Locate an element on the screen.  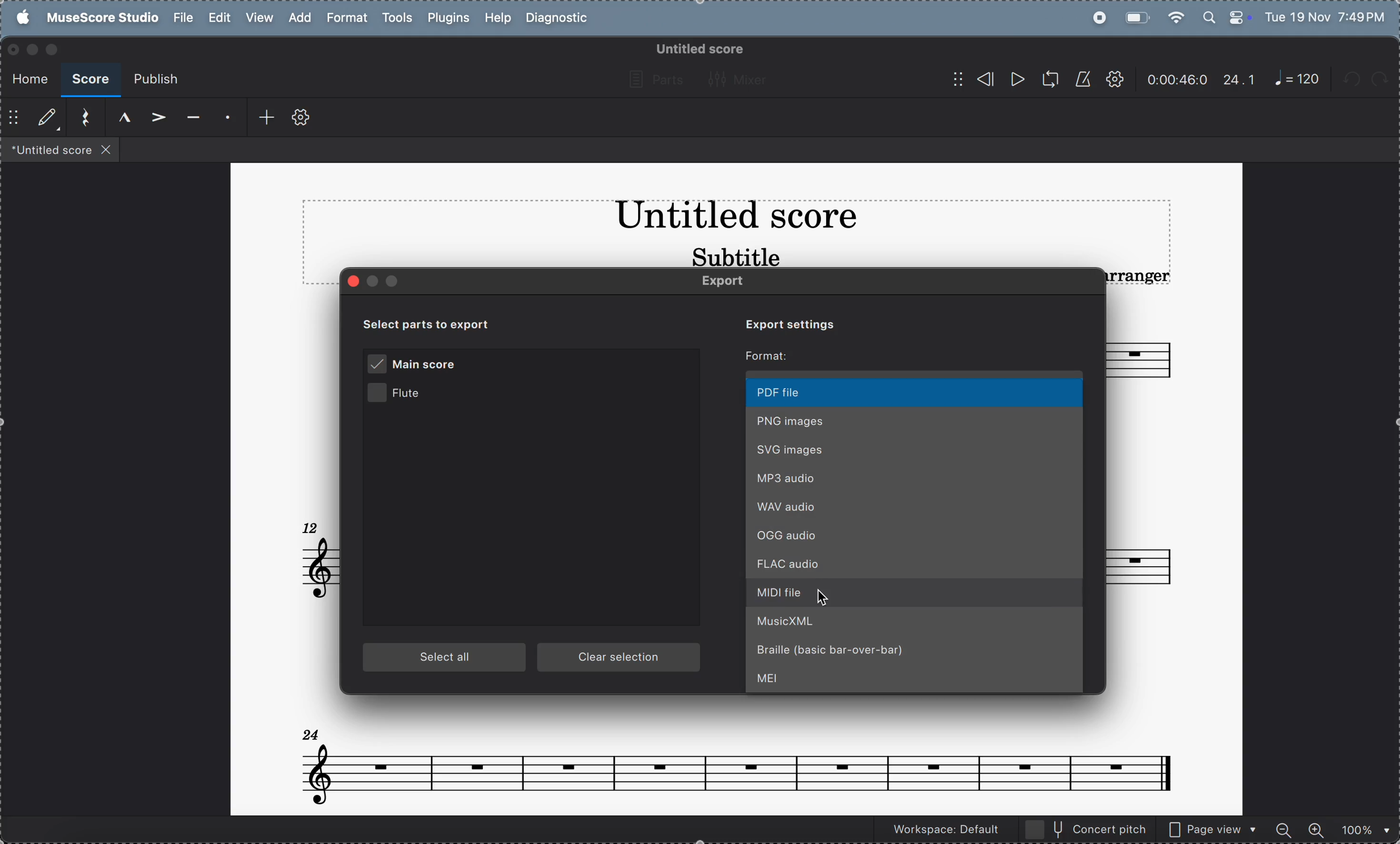
musescore studio is located at coordinates (99, 18).